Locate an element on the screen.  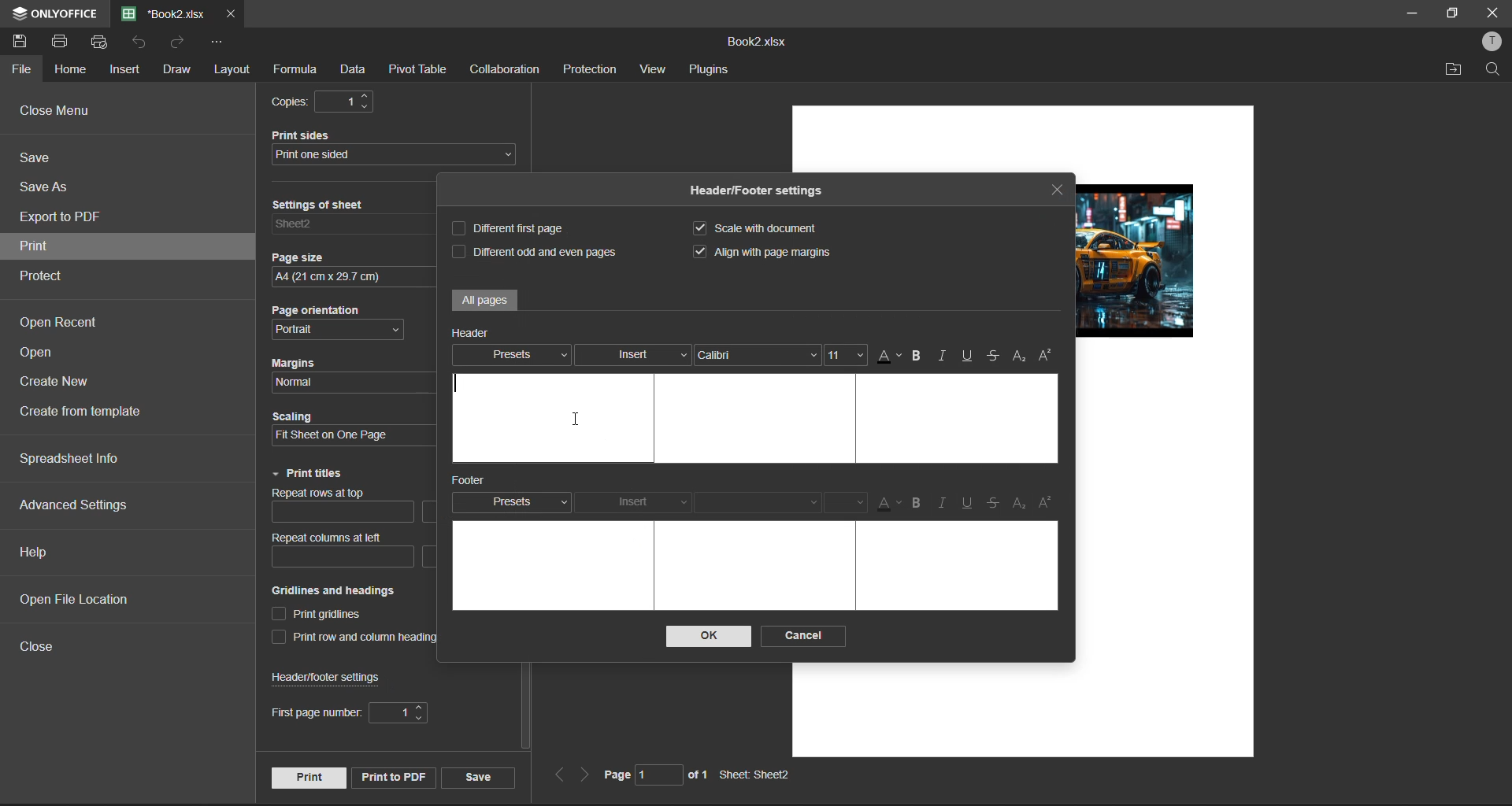
spreadsheet info is located at coordinates (70, 460).